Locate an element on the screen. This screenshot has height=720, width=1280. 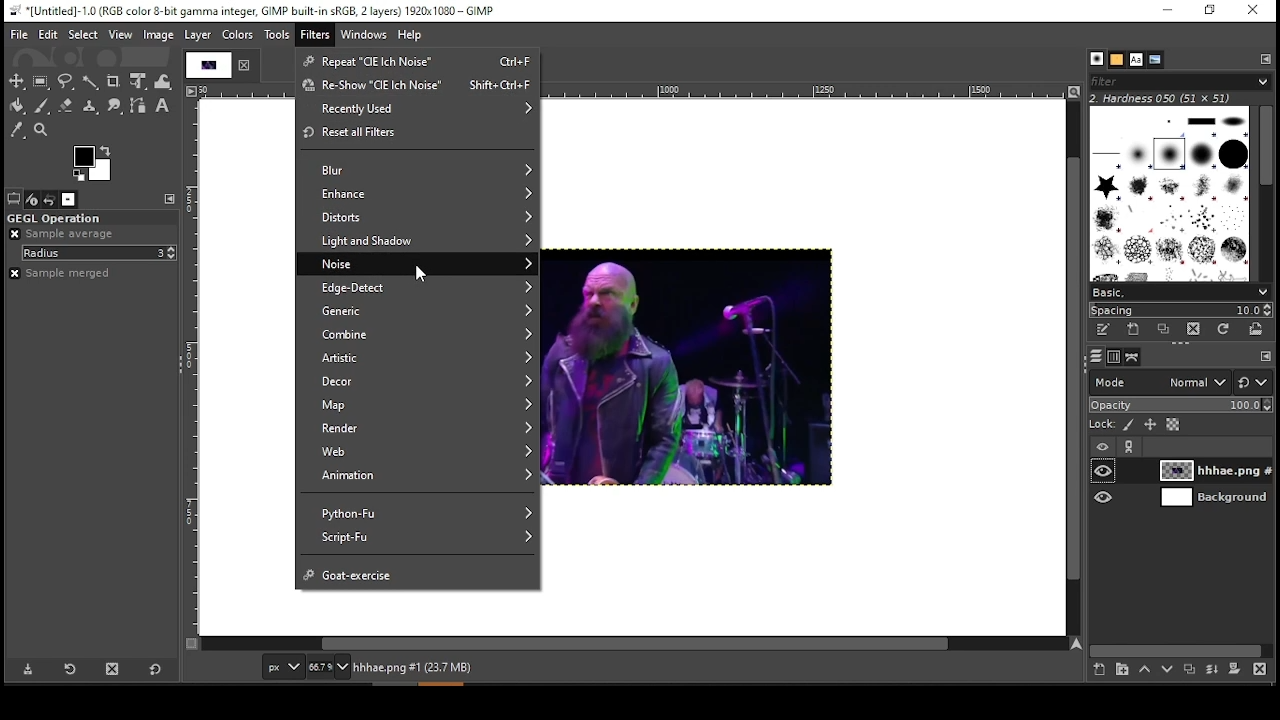
save tool preset is located at coordinates (25, 670).